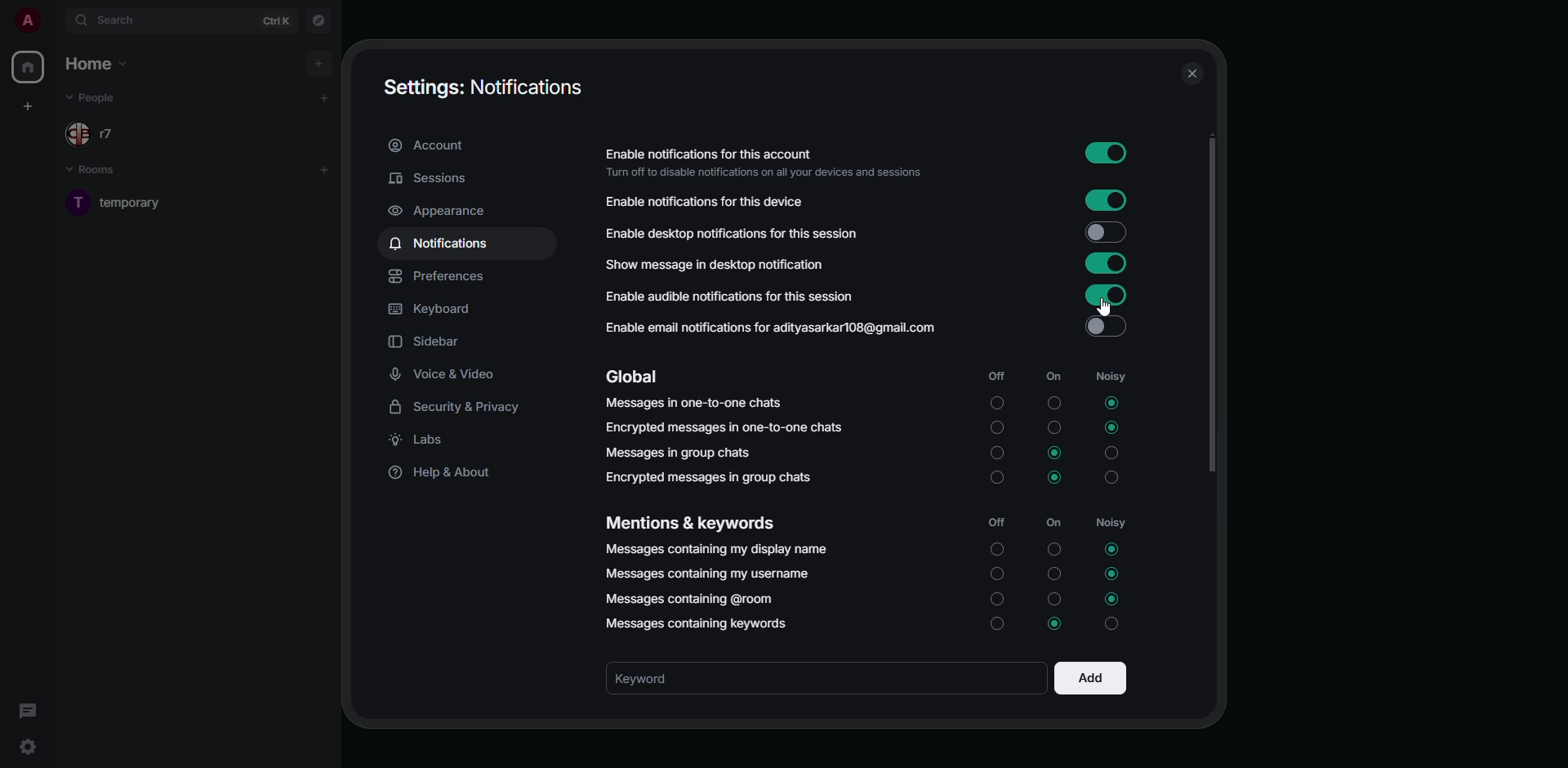  Describe the element at coordinates (1106, 233) in the screenshot. I see `click to enable` at that location.